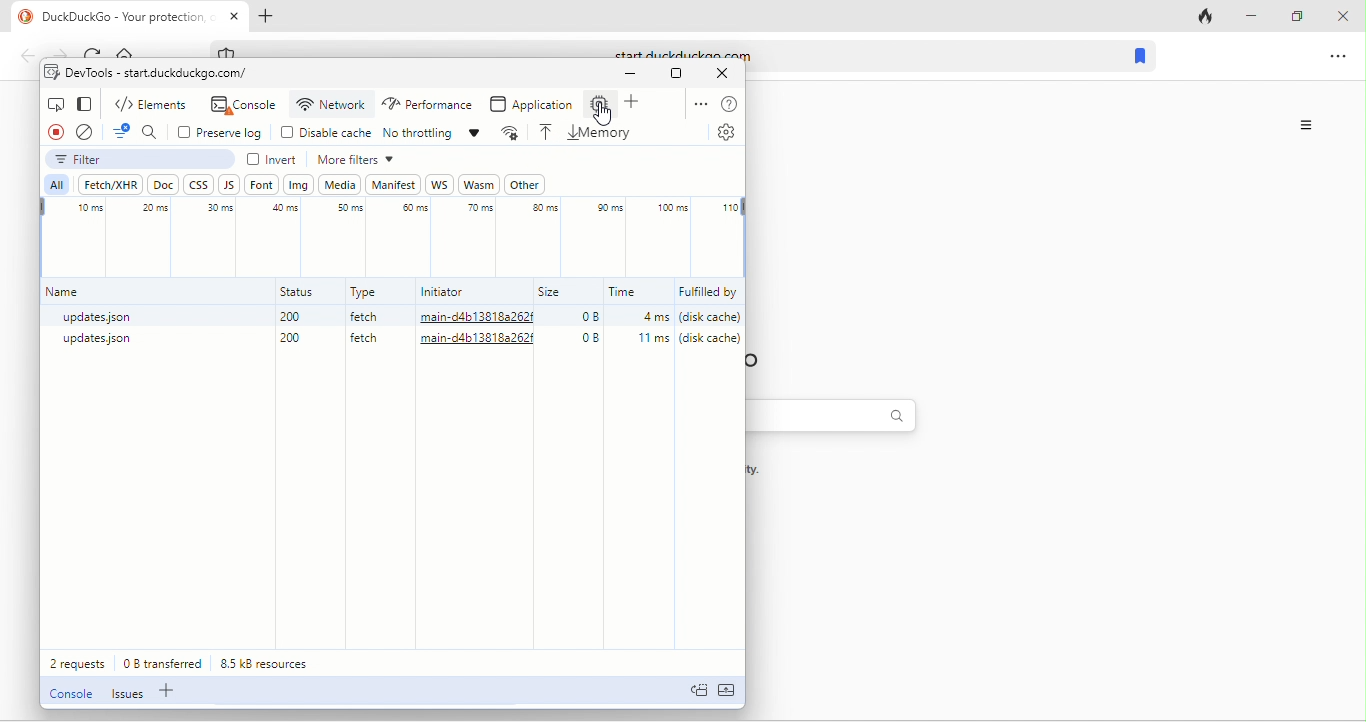  I want to click on fetch, so click(114, 184).